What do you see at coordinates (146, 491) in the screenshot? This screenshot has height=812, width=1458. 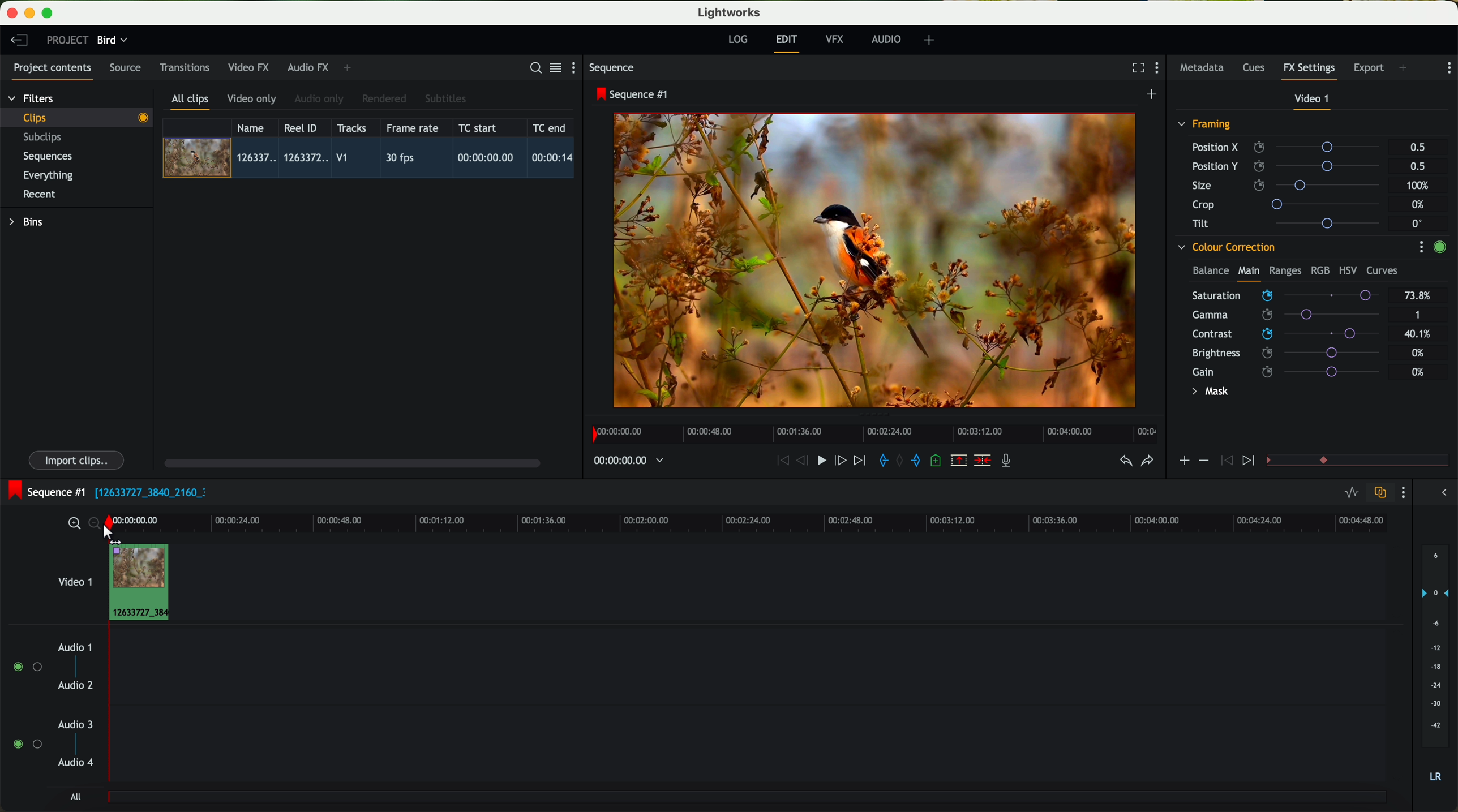 I see `black` at bounding box center [146, 491].